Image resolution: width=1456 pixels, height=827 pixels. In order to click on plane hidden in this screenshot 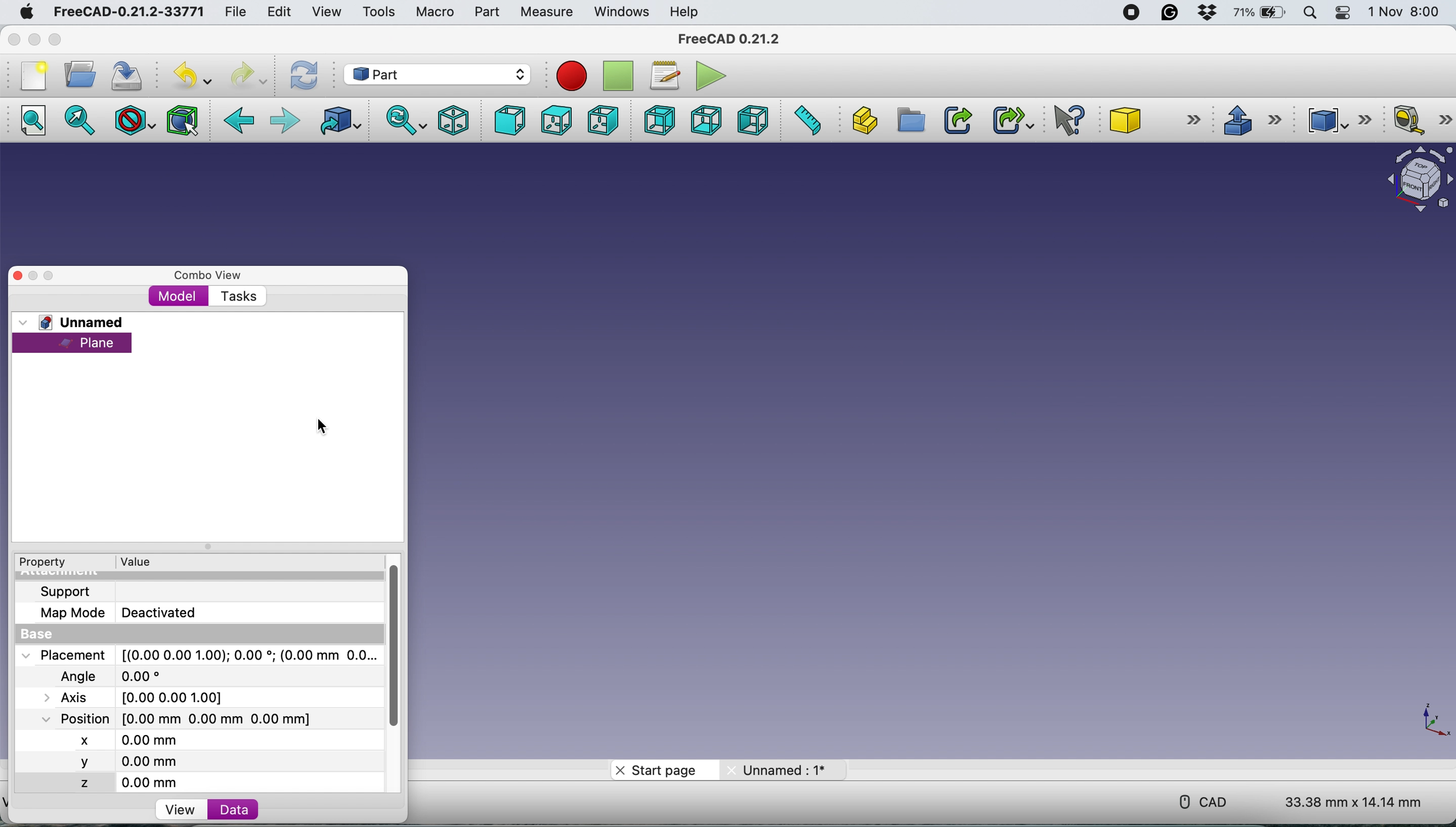, I will do `click(819, 396)`.